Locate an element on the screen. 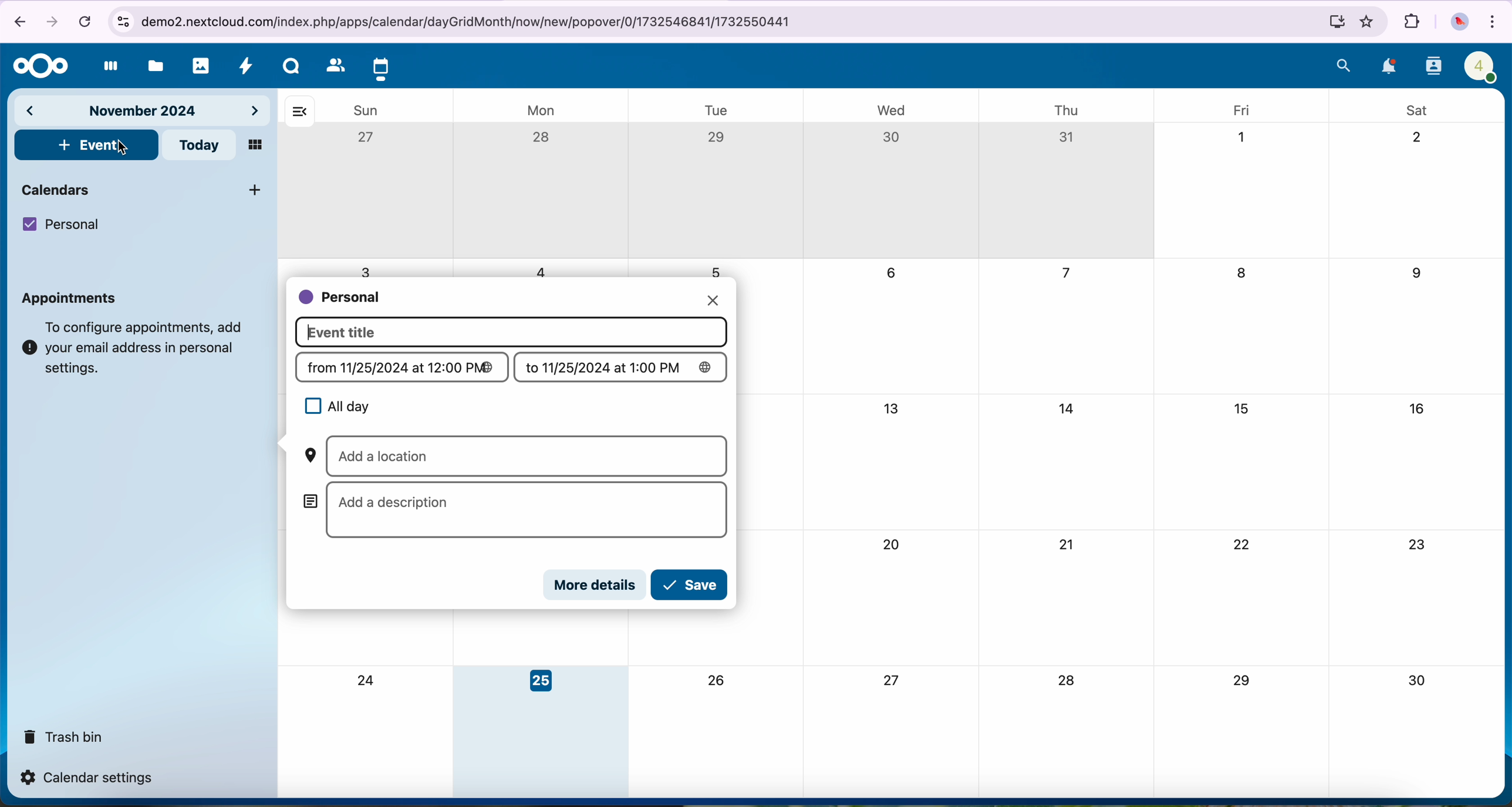 Image resolution: width=1512 pixels, height=807 pixels. 7 is located at coordinates (1065, 274).